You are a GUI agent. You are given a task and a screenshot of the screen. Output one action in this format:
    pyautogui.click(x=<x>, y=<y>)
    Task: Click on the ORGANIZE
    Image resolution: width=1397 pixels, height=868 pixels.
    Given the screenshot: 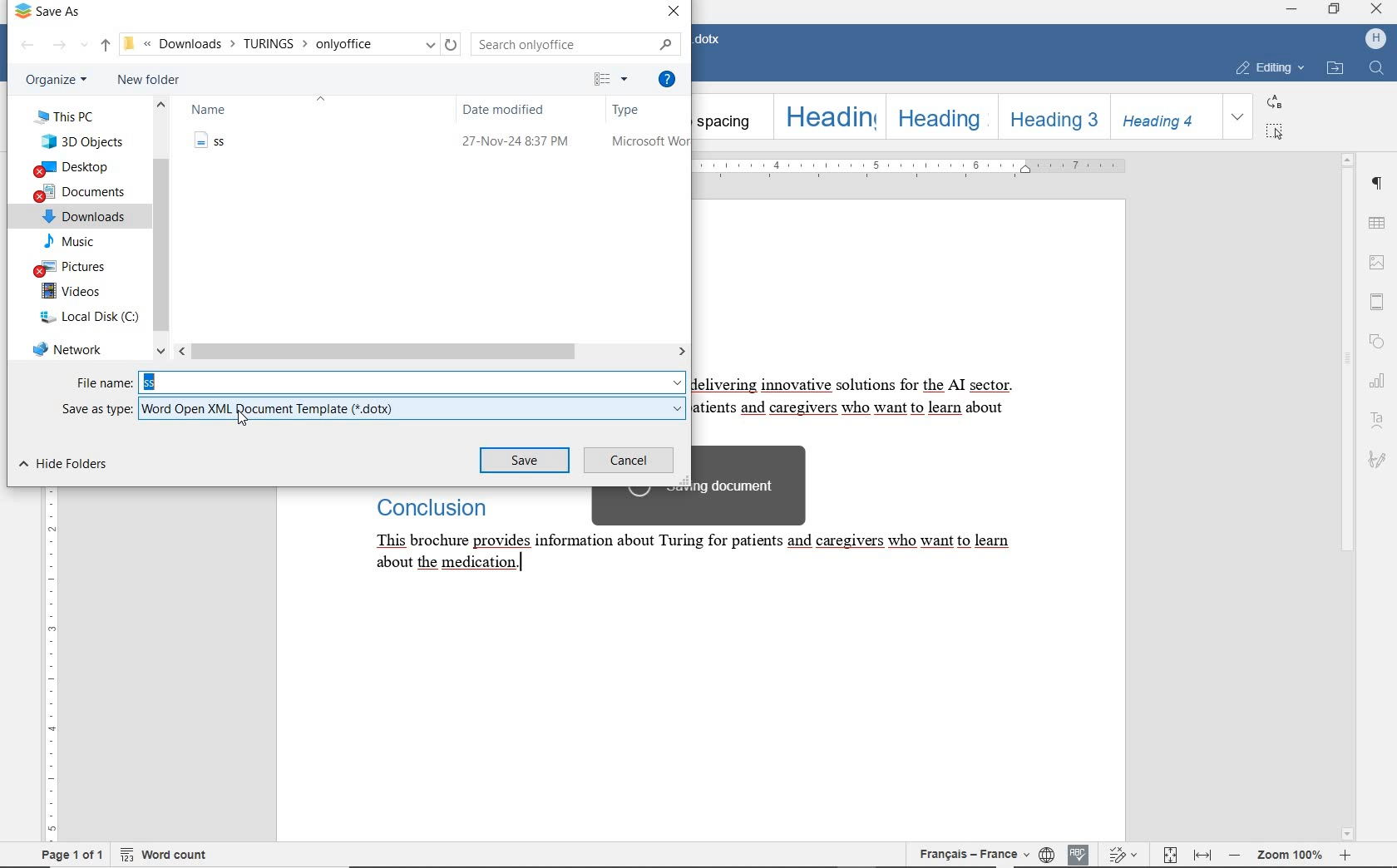 What is the action you would take?
    pyautogui.click(x=56, y=81)
    